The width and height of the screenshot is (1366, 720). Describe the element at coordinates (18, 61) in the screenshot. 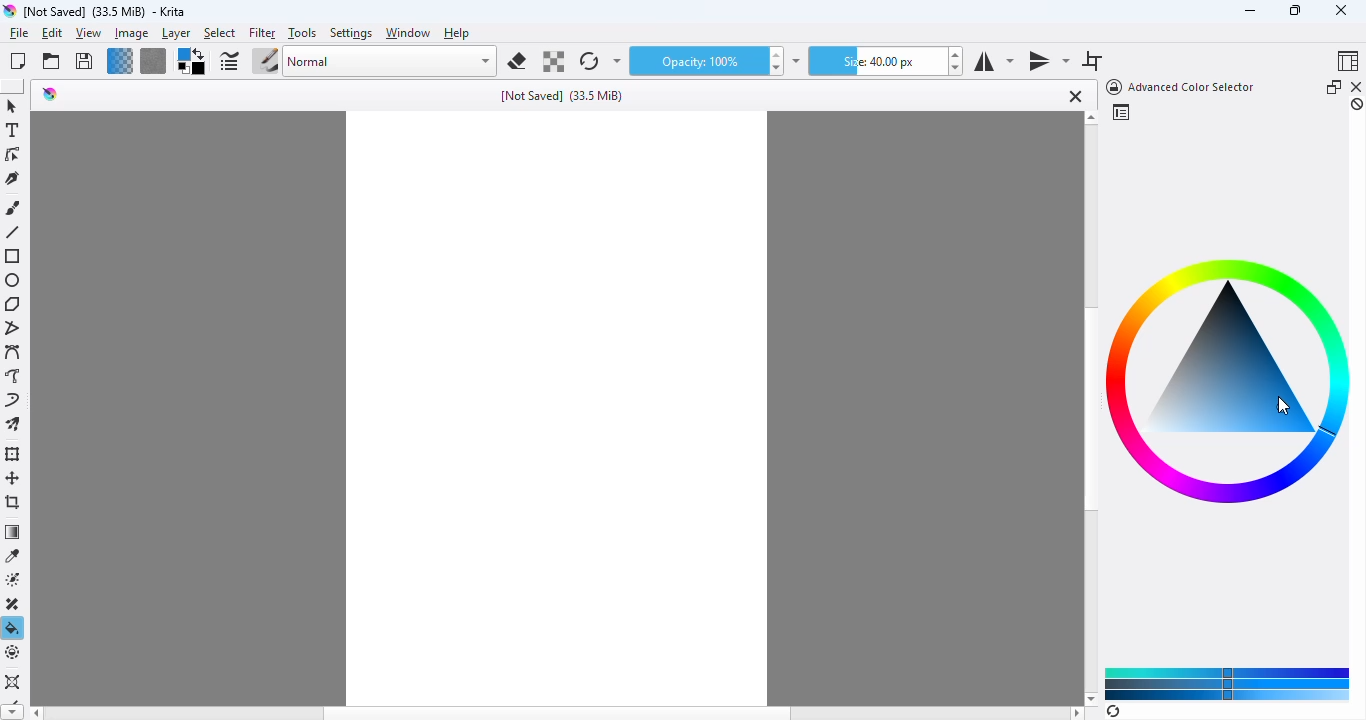

I see `create new document` at that location.